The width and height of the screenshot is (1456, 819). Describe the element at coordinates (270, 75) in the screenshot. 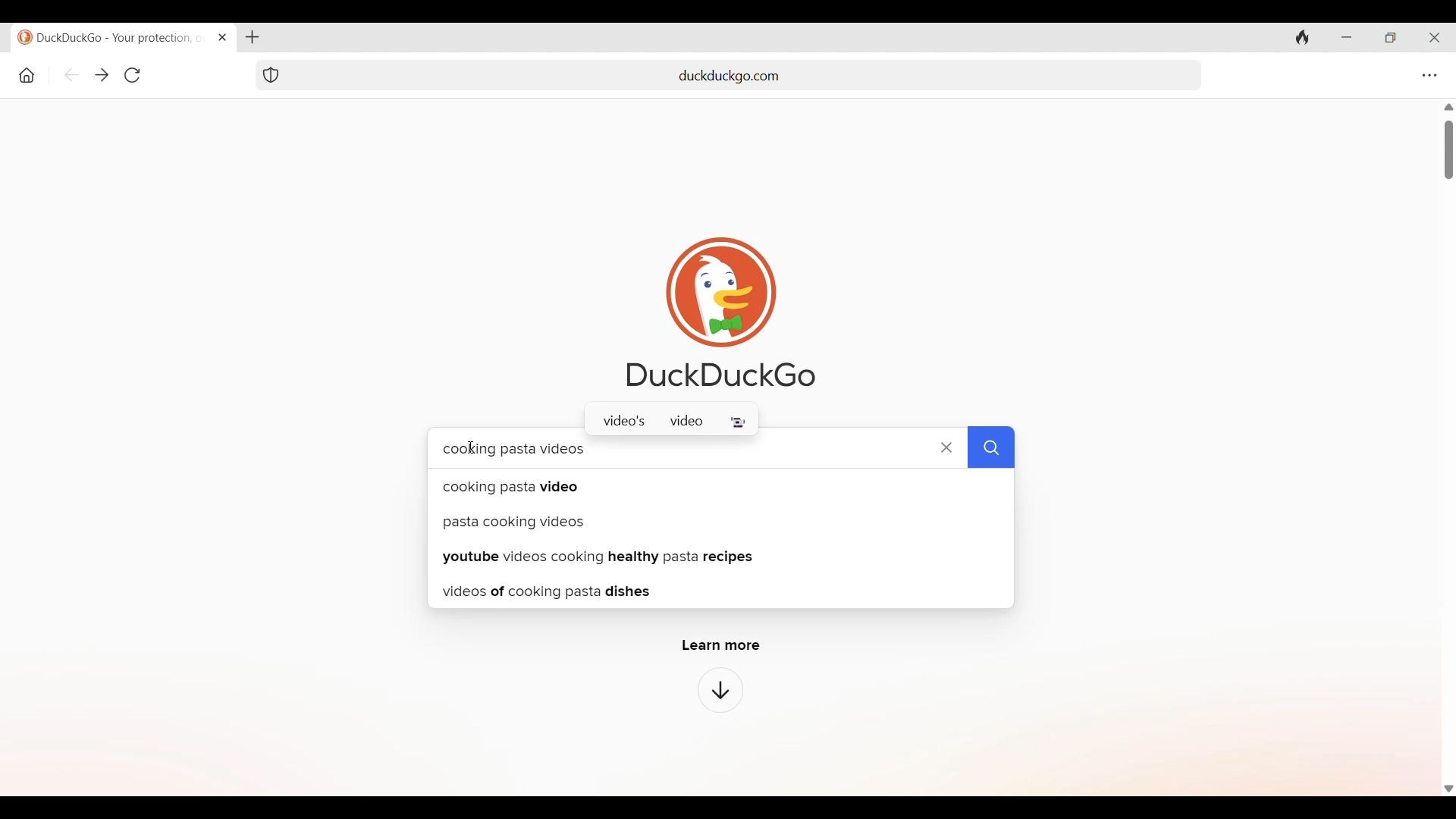

I see `Browser protection` at that location.